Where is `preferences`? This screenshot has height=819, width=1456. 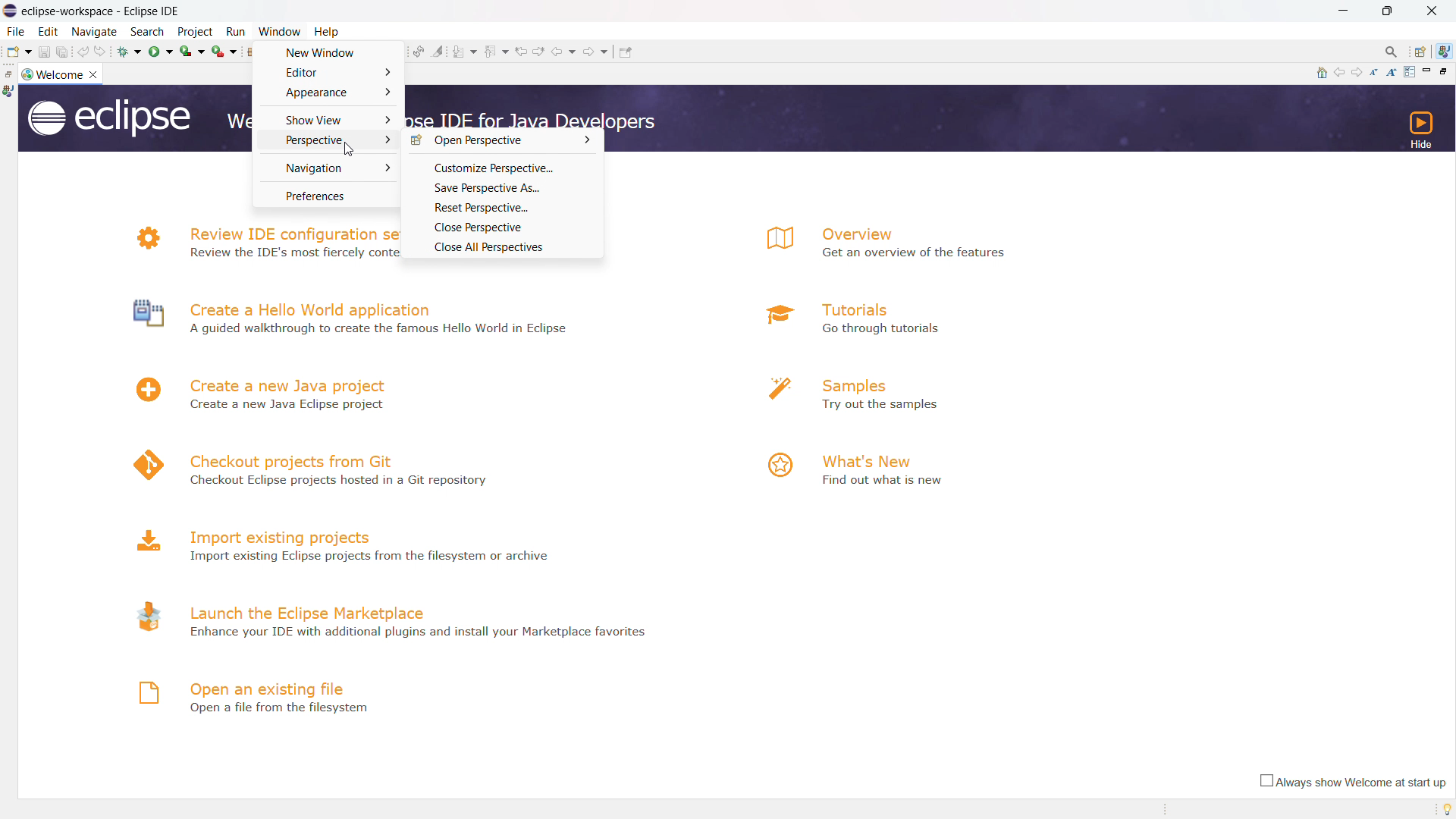
preferences is located at coordinates (325, 196).